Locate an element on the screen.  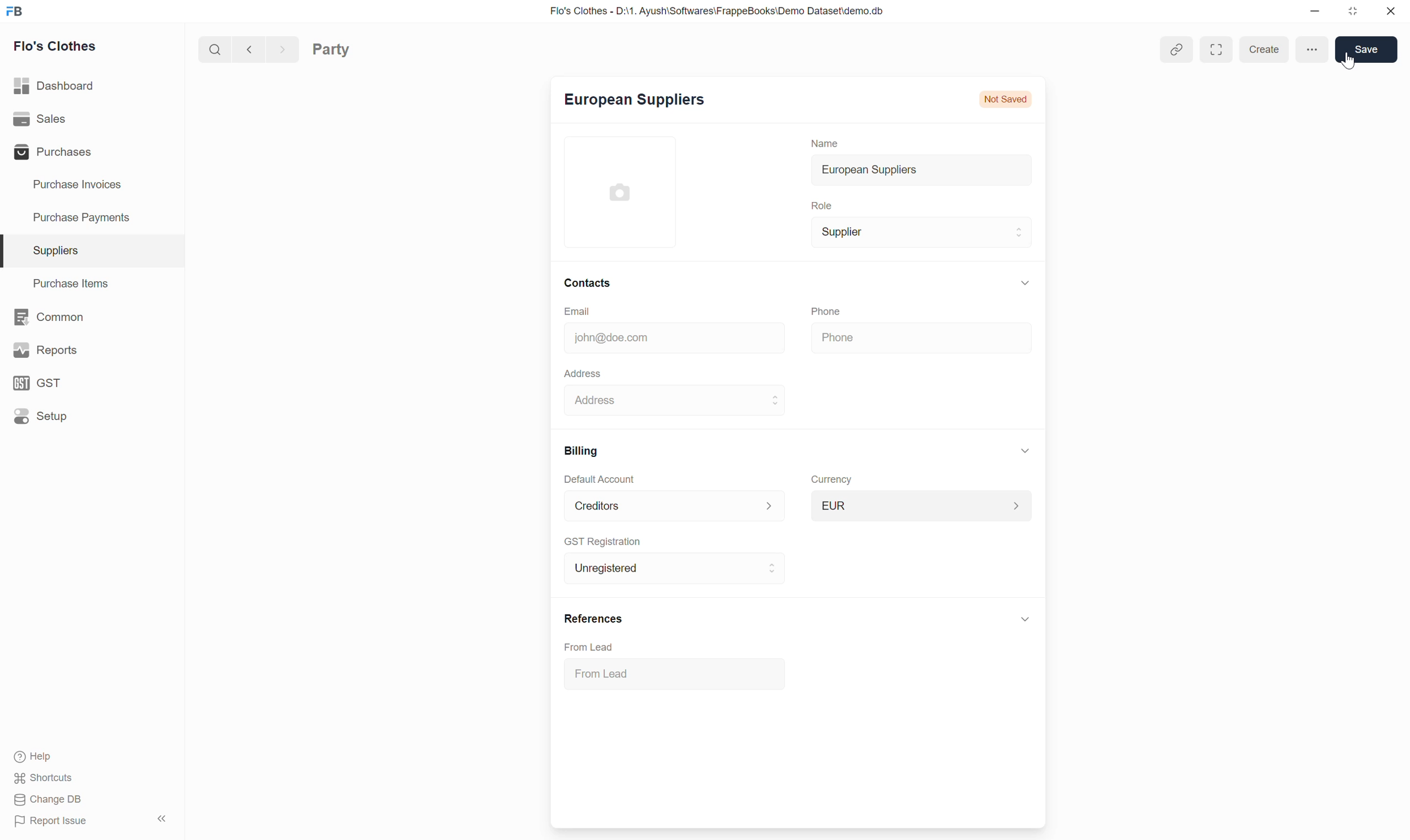
report issue is located at coordinates (51, 821).